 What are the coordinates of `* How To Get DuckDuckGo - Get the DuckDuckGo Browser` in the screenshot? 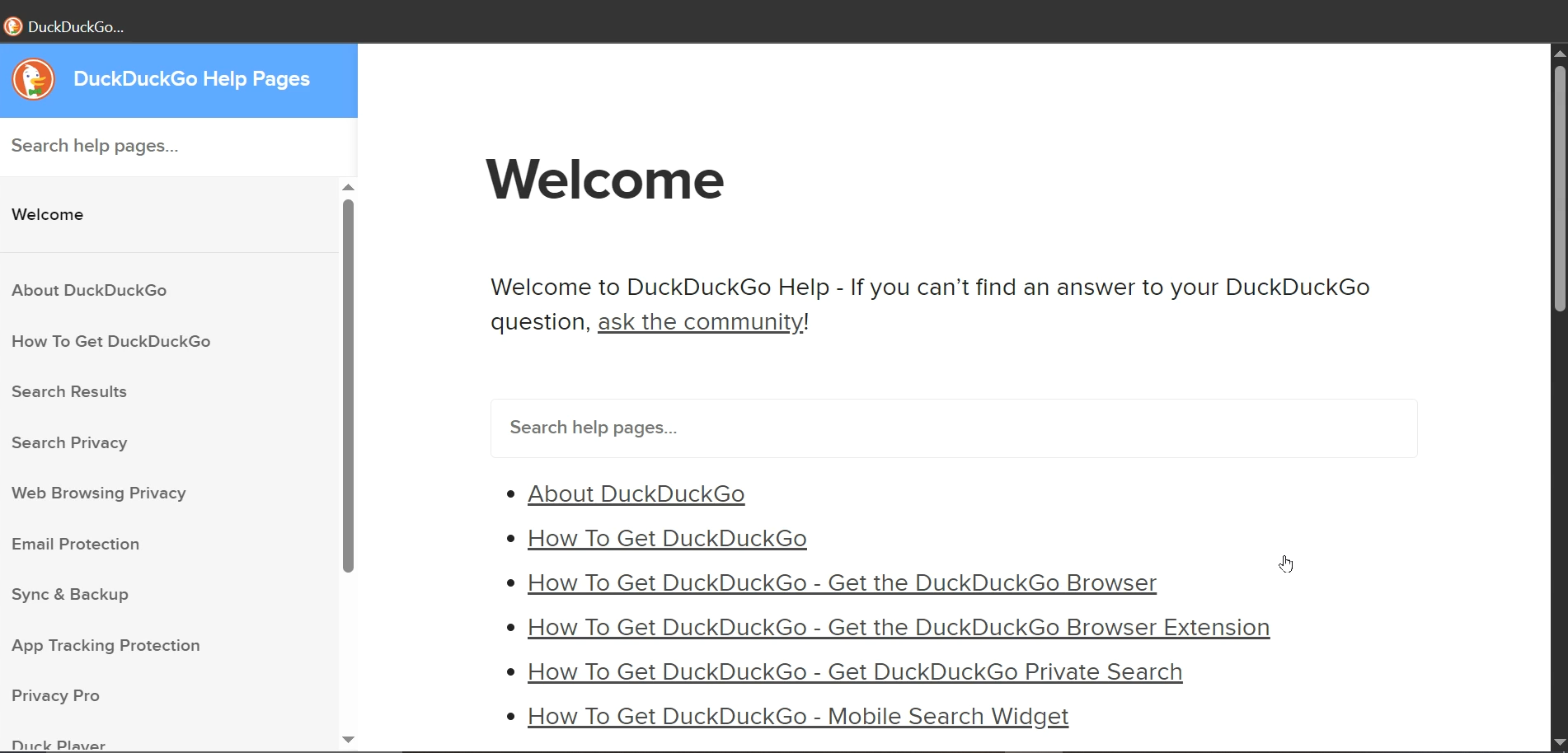 It's located at (831, 585).